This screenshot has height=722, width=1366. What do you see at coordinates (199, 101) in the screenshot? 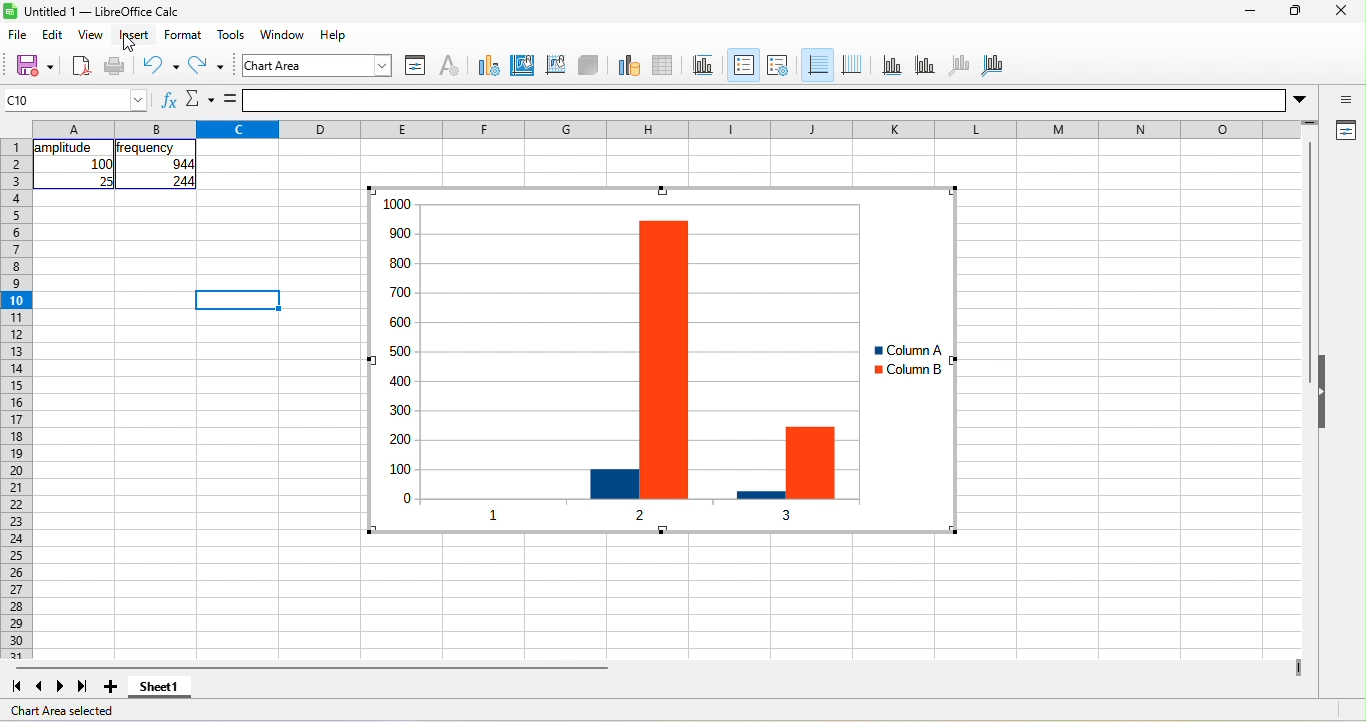
I see `select function` at bounding box center [199, 101].